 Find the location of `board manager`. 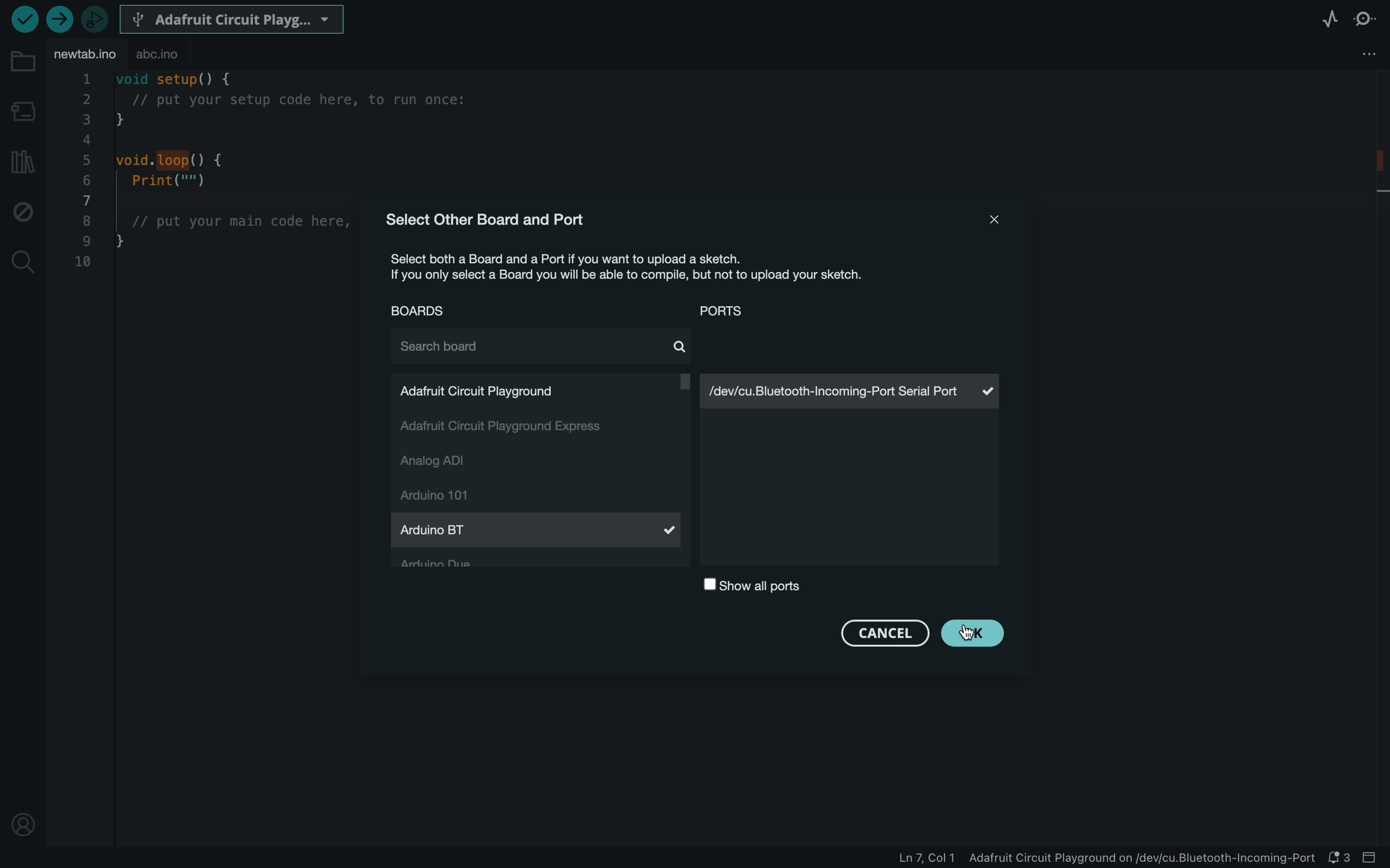

board manager is located at coordinates (24, 110).